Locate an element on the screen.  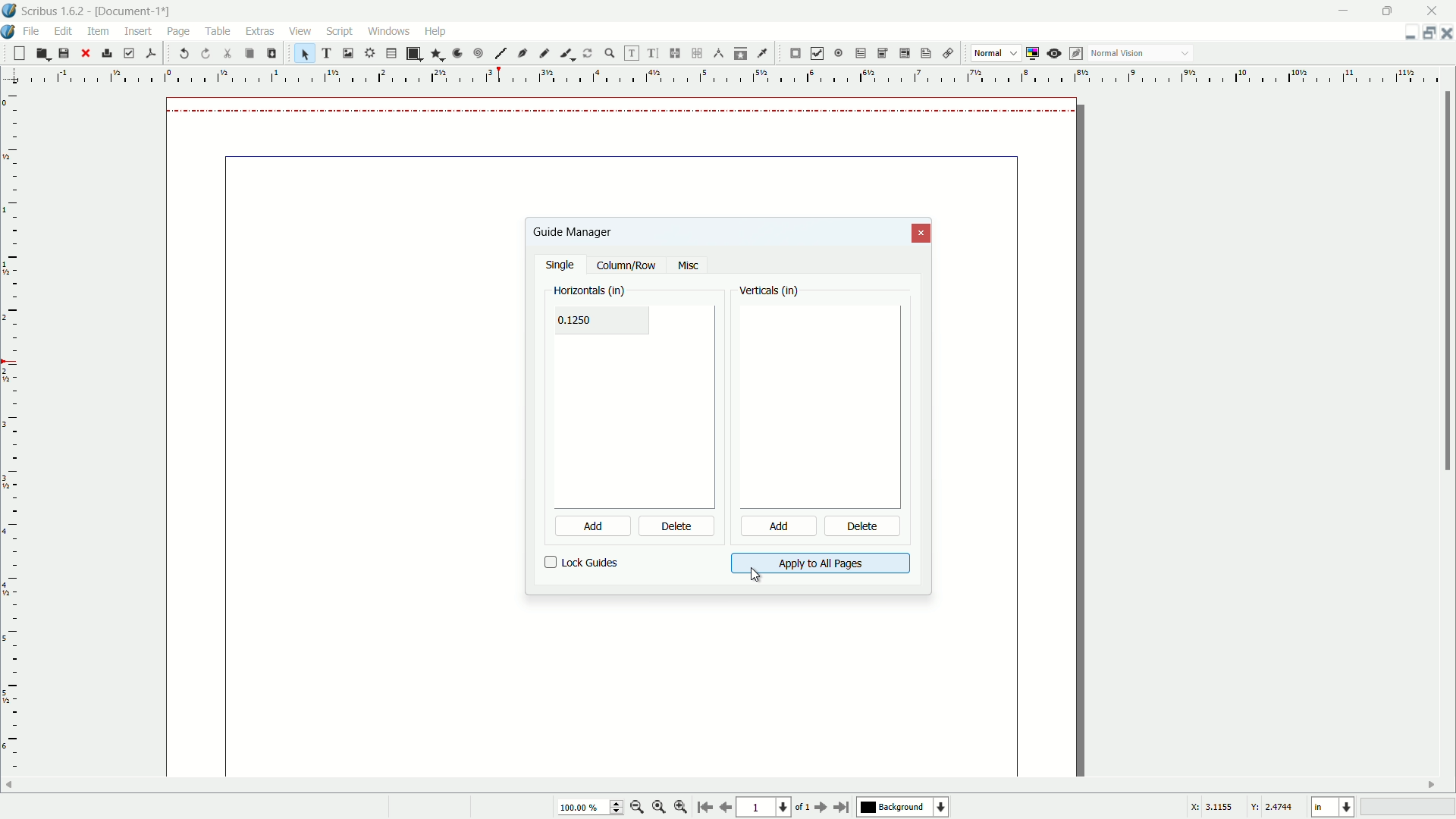
text frame is located at coordinates (328, 53).